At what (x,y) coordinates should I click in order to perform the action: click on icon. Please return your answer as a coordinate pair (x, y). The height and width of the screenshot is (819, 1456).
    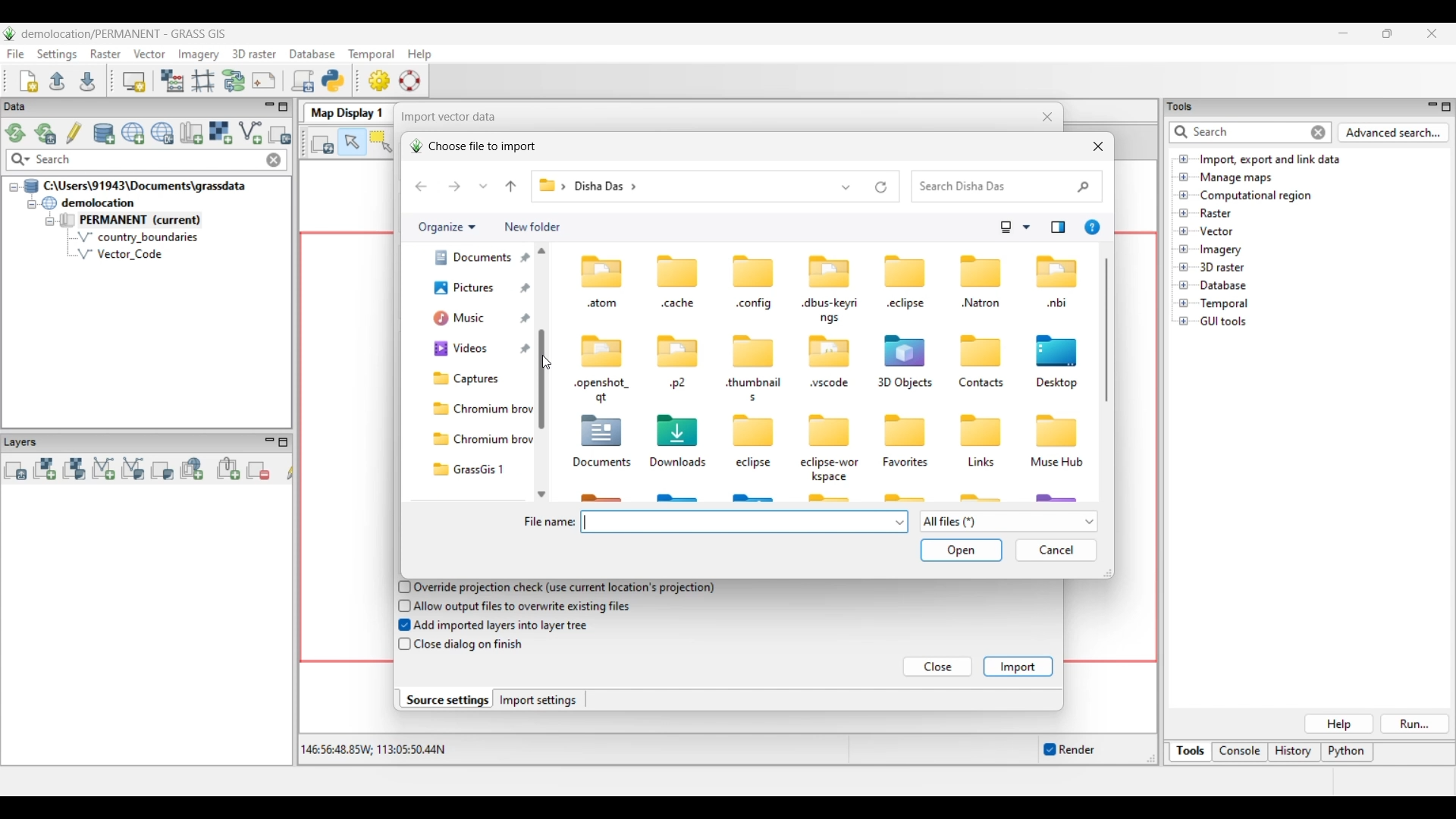
    Looking at the image, I should click on (1057, 429).